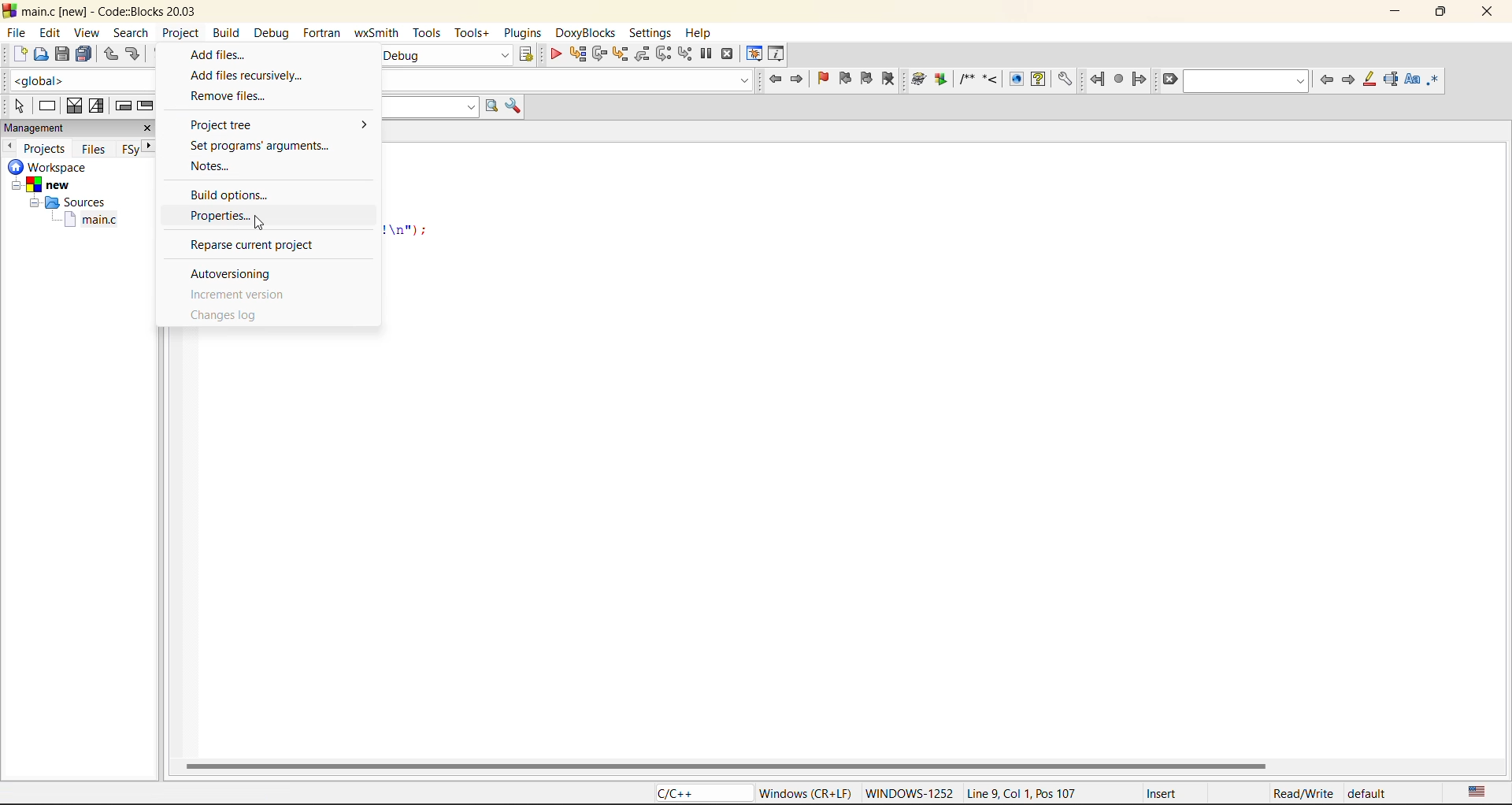 The height and width of the screenshot is (805, 1512). What do you see at coordinates (703, 31) in the screenshot?
I see `help` at bounding box center [703, 31].